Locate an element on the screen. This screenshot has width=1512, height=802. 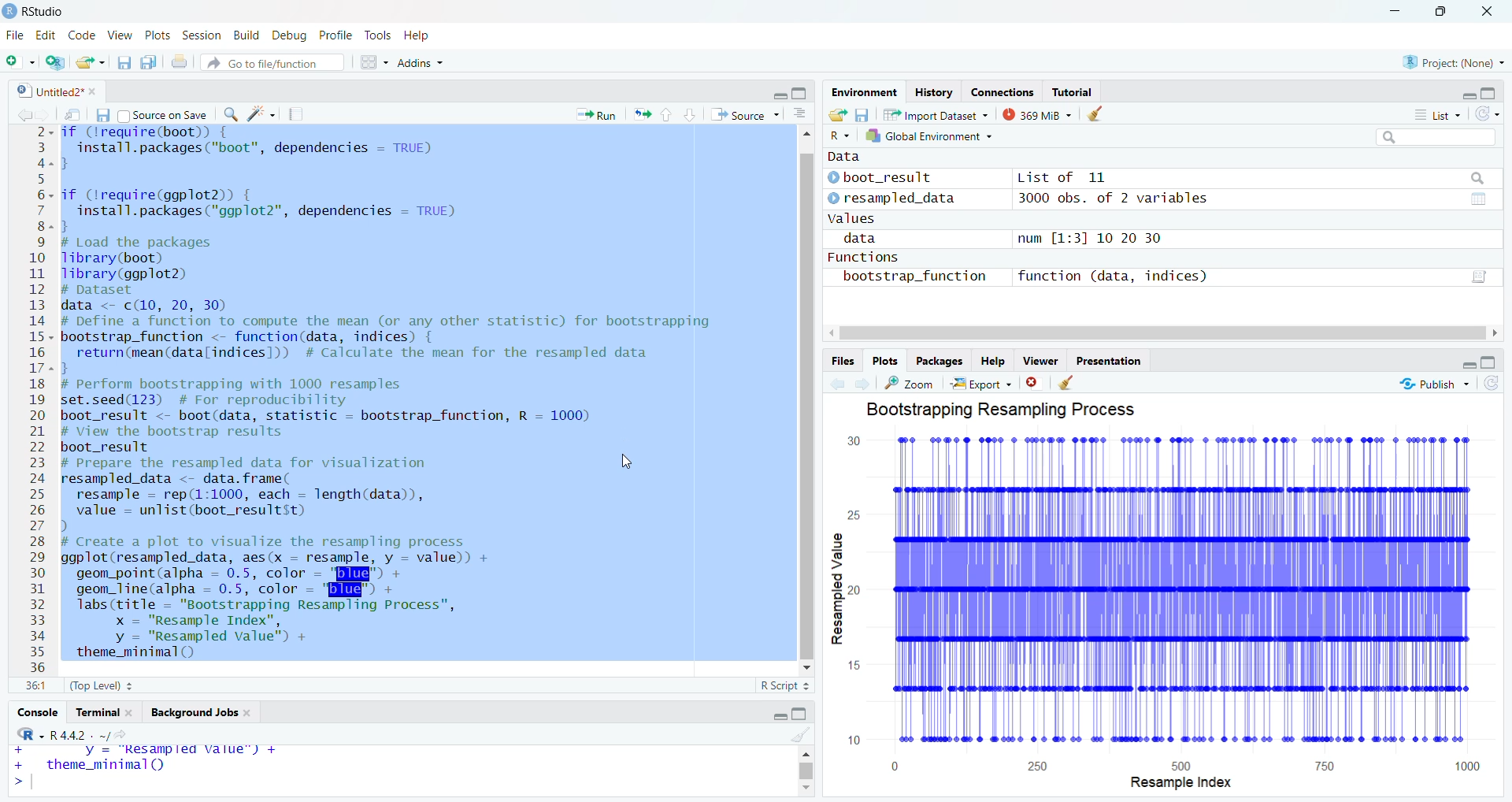
Debug is located at coordinates (287, 35).